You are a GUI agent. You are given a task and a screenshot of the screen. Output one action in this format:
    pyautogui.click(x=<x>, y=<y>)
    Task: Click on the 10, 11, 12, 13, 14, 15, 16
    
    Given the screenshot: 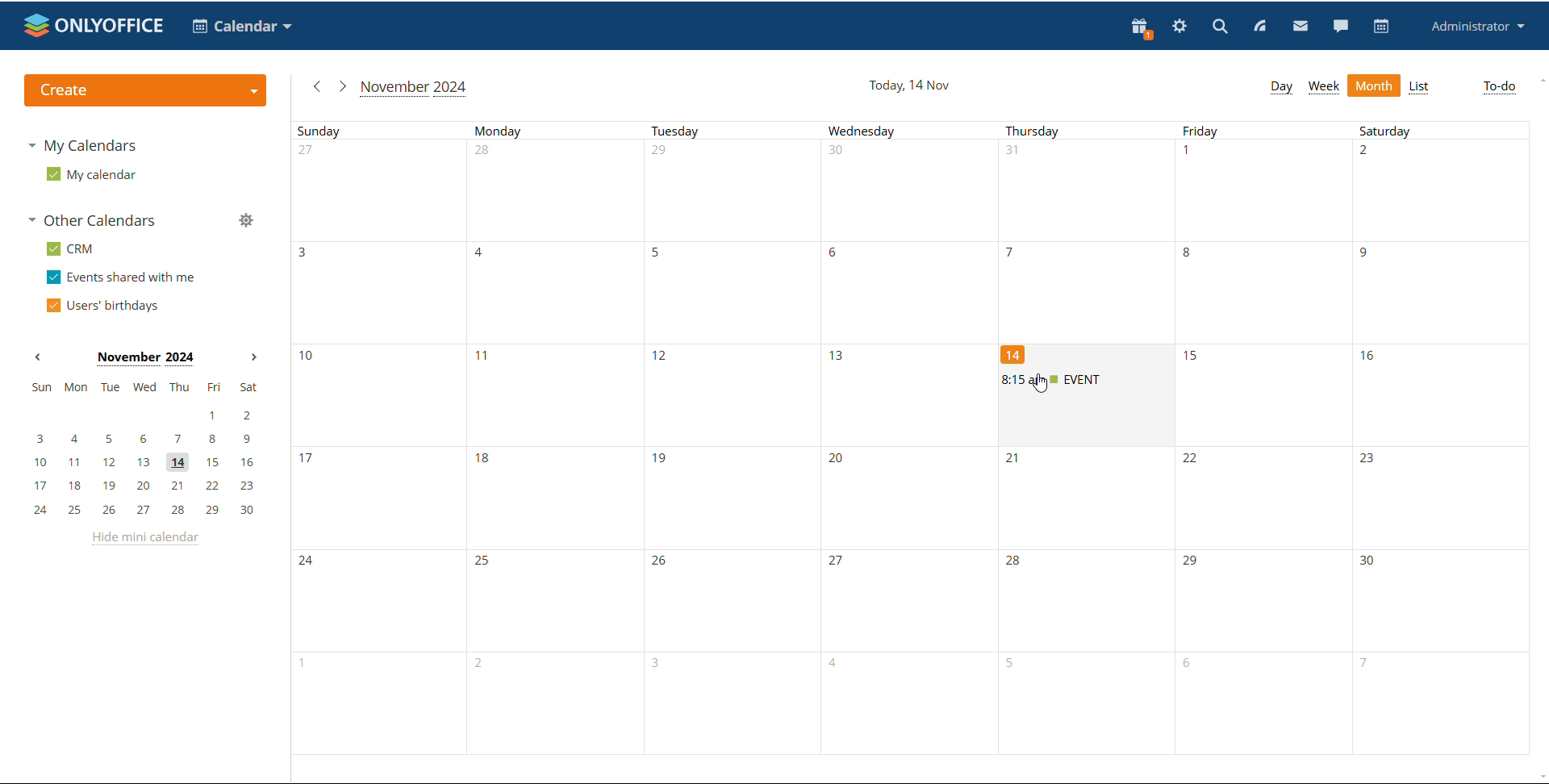 What is the action you would take?
    pyautogui.click(x=144, y=463)
    